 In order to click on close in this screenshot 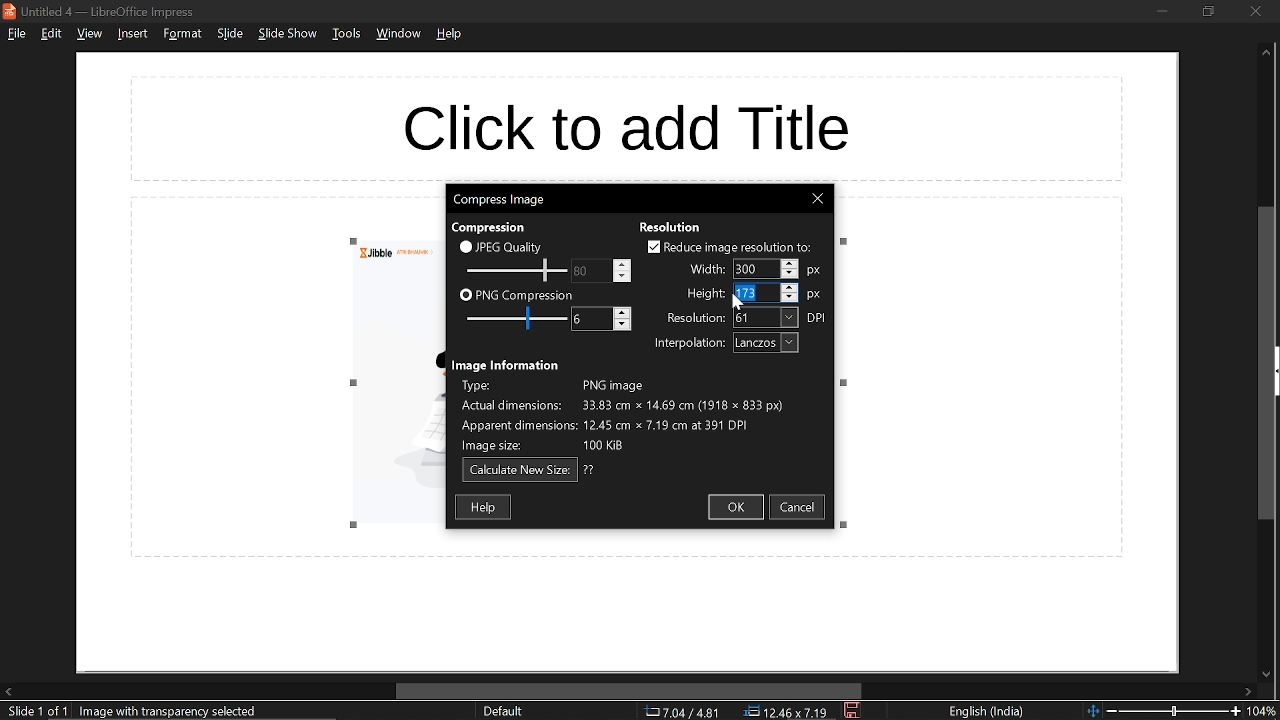, I will do `click(1257, 11)`.